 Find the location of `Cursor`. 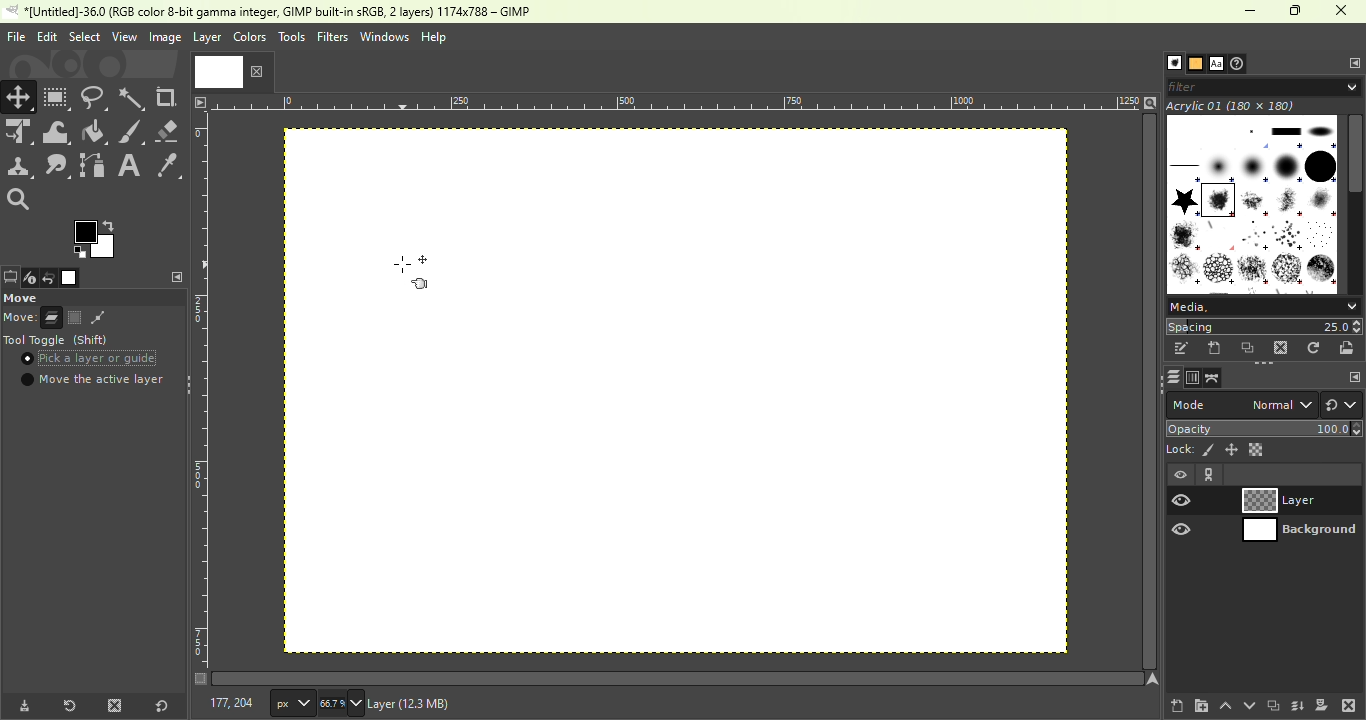

Cursor is located at coordinates (425, 268).